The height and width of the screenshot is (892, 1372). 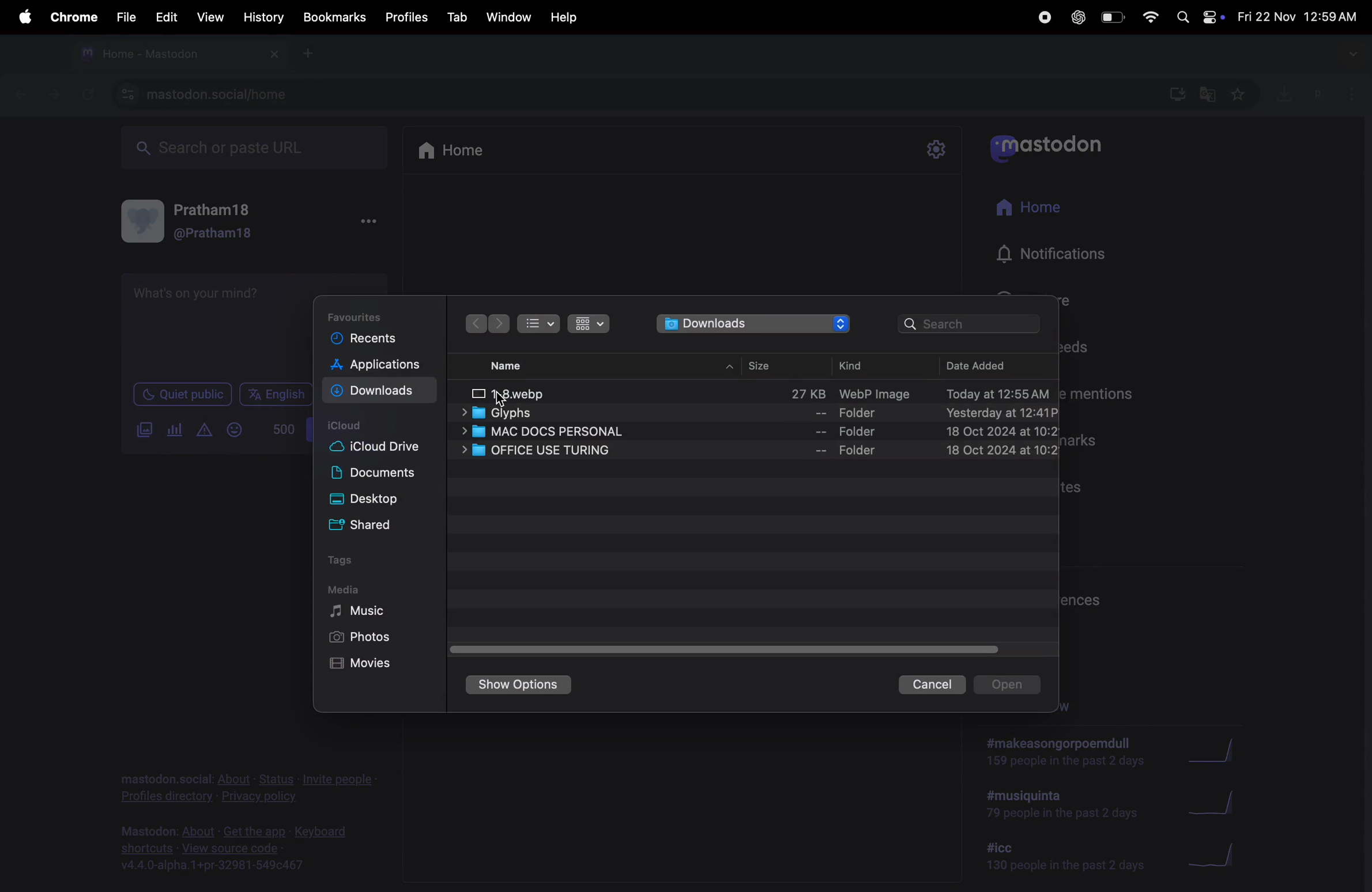 I want to click on display picture, so click(x=142, y=222).